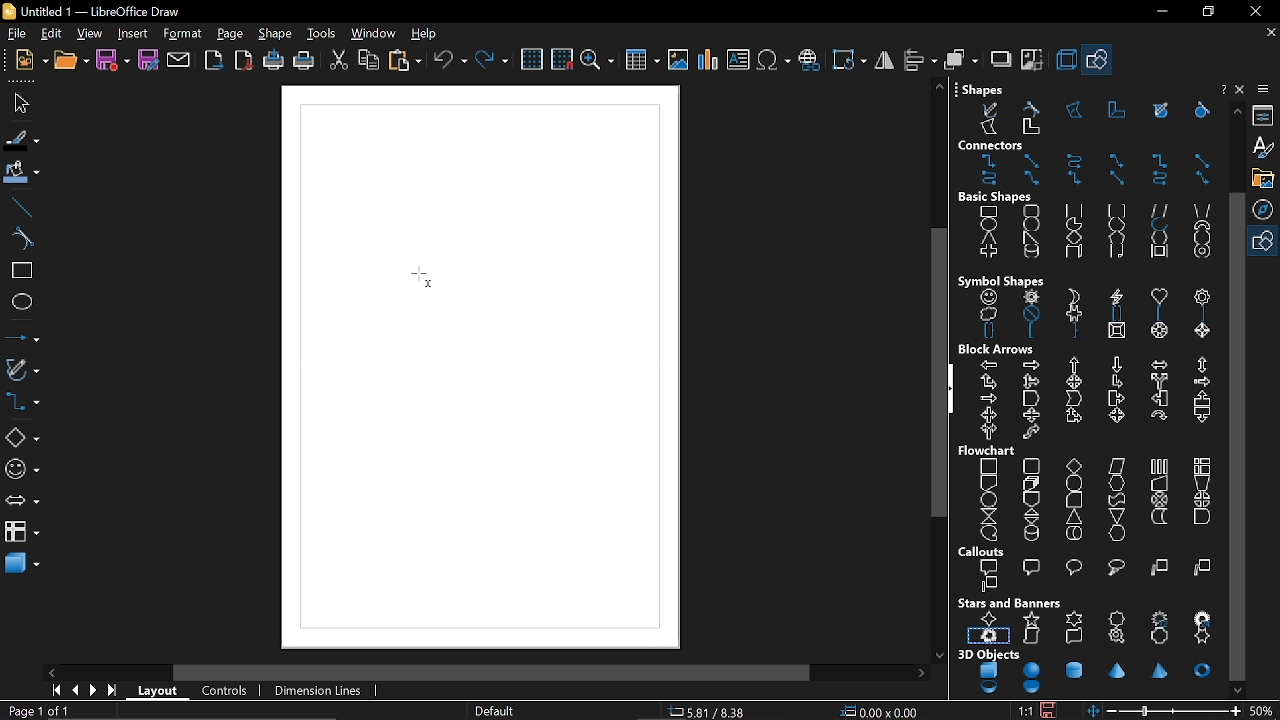 This screenshot has height=720, width=1280. Describe the element at coordinates (368, 60) in the screenshot. I see `copy` at that location.